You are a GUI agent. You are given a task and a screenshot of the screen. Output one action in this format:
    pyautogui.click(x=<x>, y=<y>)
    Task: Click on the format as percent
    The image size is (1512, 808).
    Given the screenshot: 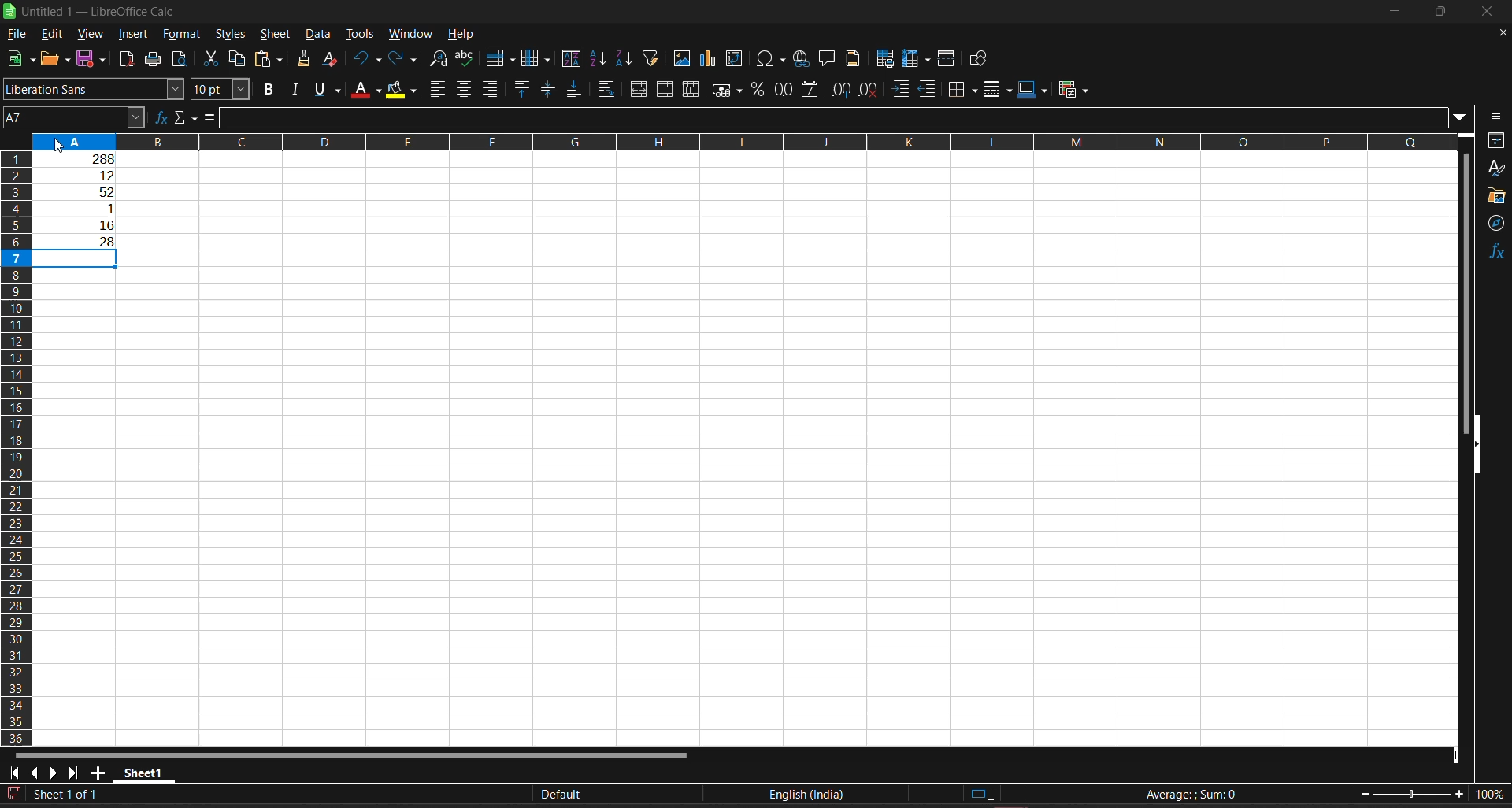 What is the action you would take?
    pyautogui.click(x=758, y=89)
    